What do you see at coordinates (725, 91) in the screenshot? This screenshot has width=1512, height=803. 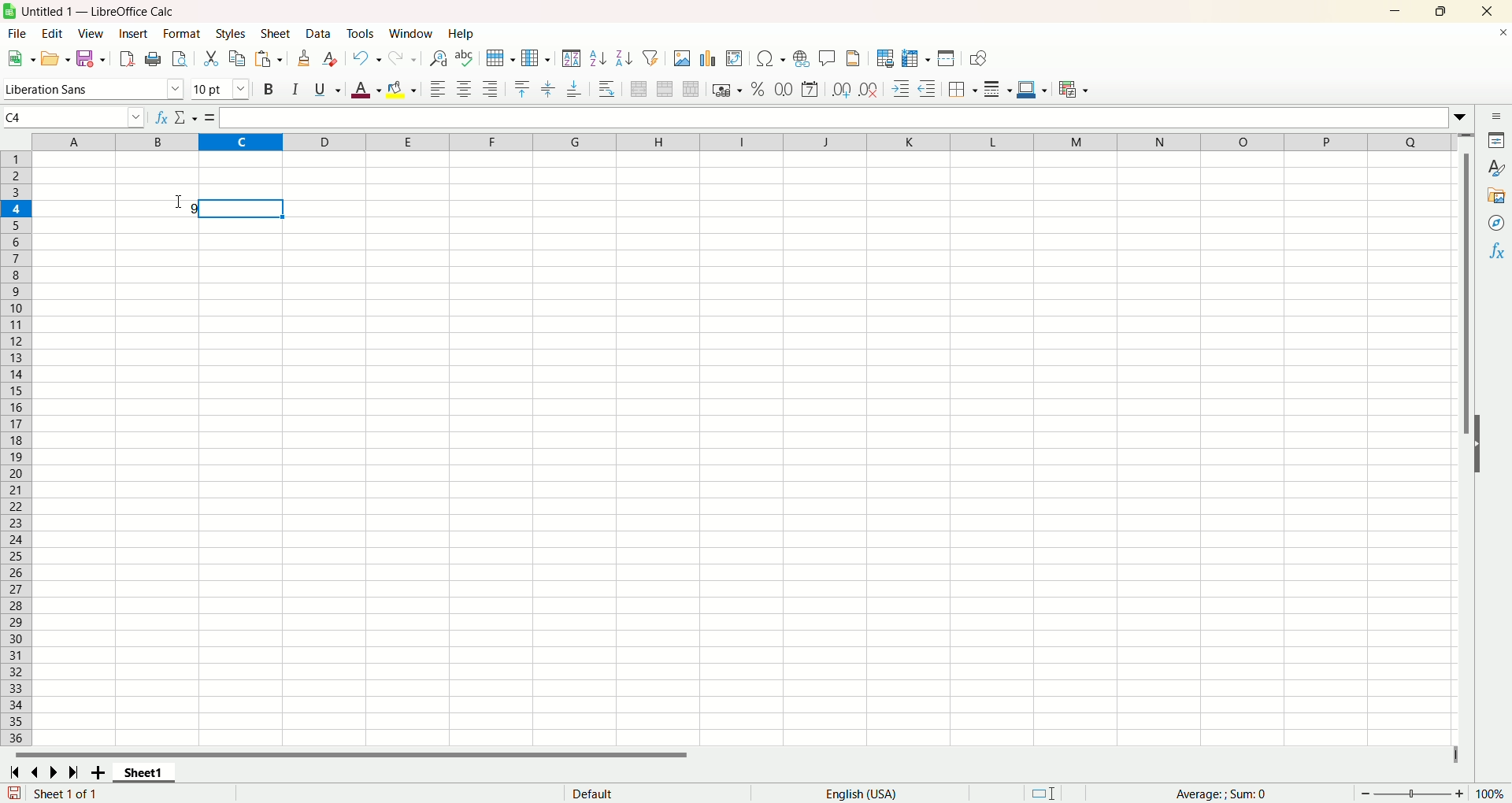 I see `format as currency` at bounding box center [725, 91].